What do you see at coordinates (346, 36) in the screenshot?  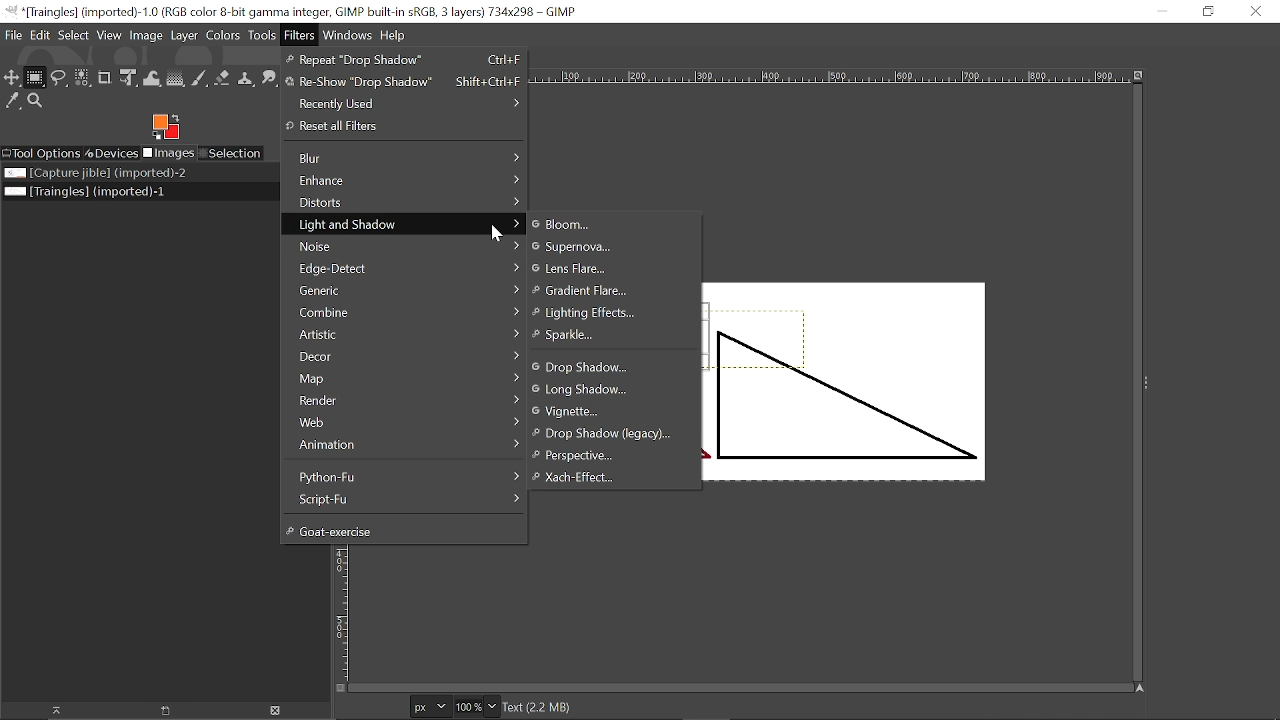 I see `Windows` at bounding box center [346, 36].